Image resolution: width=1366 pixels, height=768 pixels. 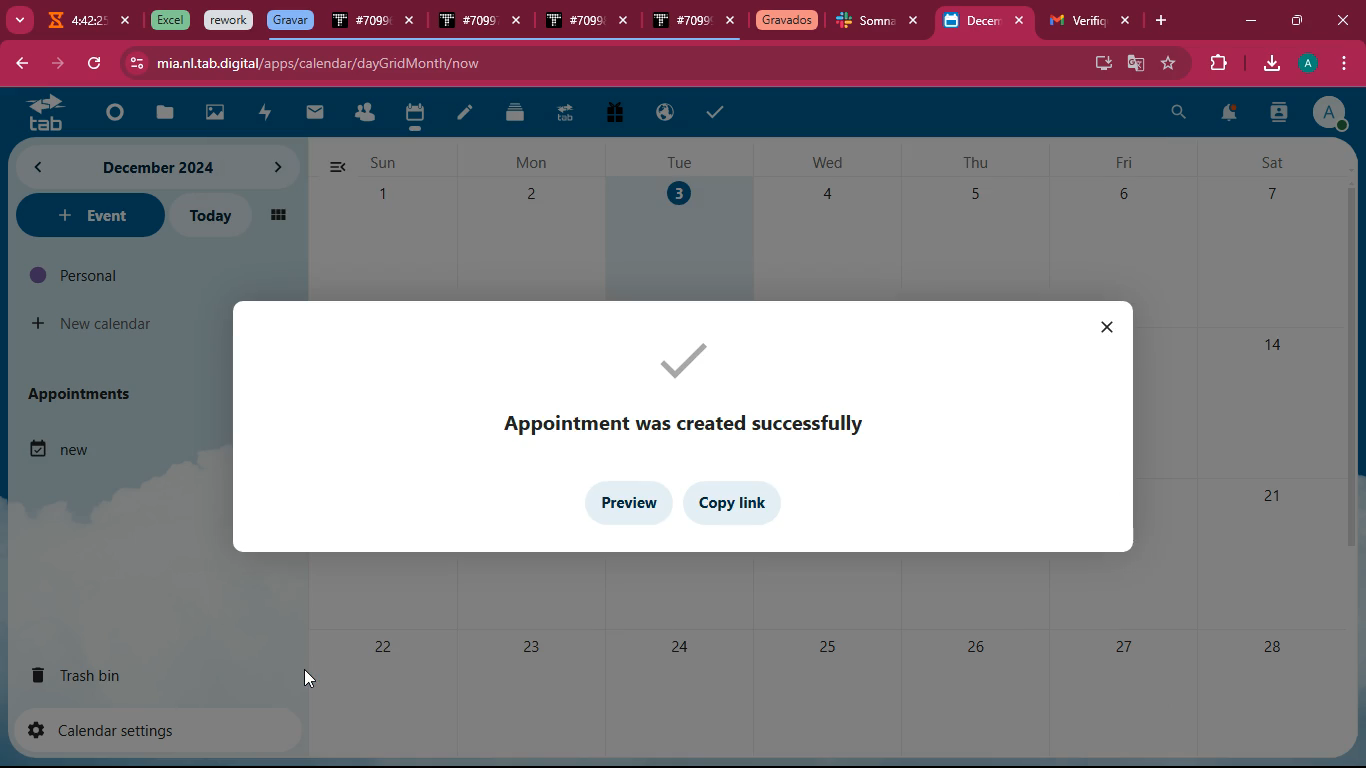 What do you see at coordinates (360, 24) in the screenshot?
I see `tab` at bounding box center [360, 24].